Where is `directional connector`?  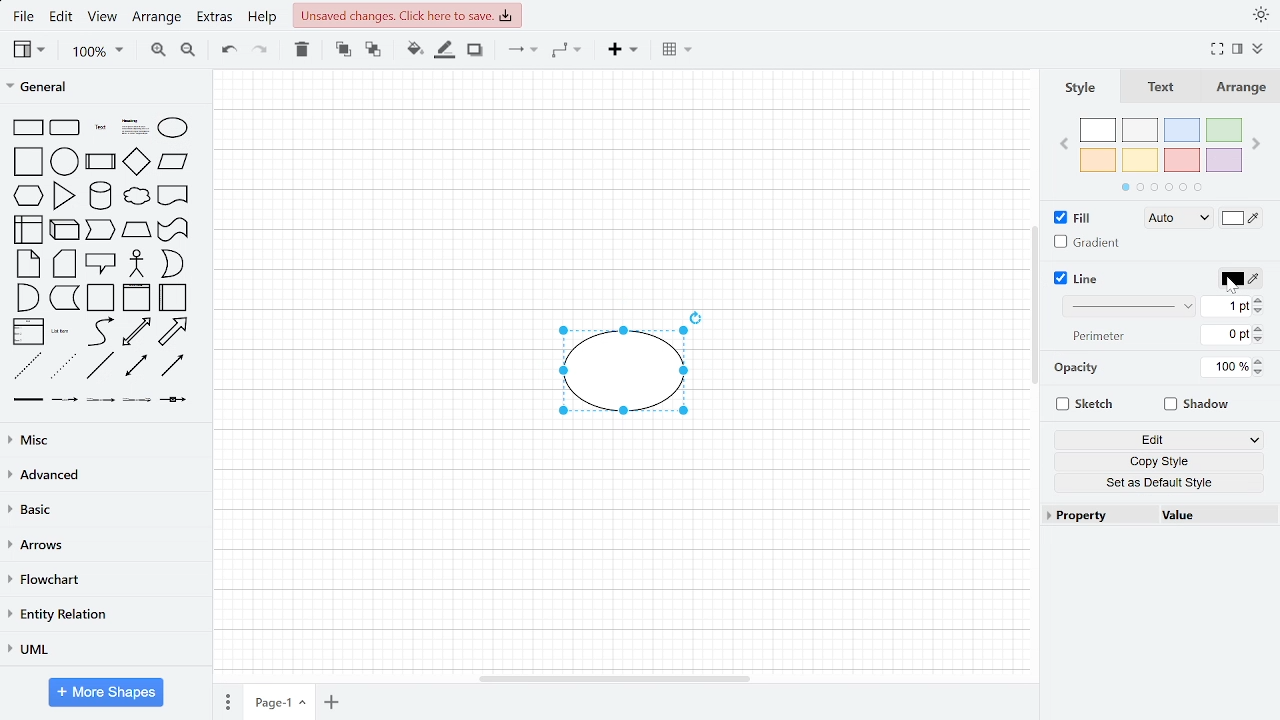 directional connector is located at coordinates (174, 366).